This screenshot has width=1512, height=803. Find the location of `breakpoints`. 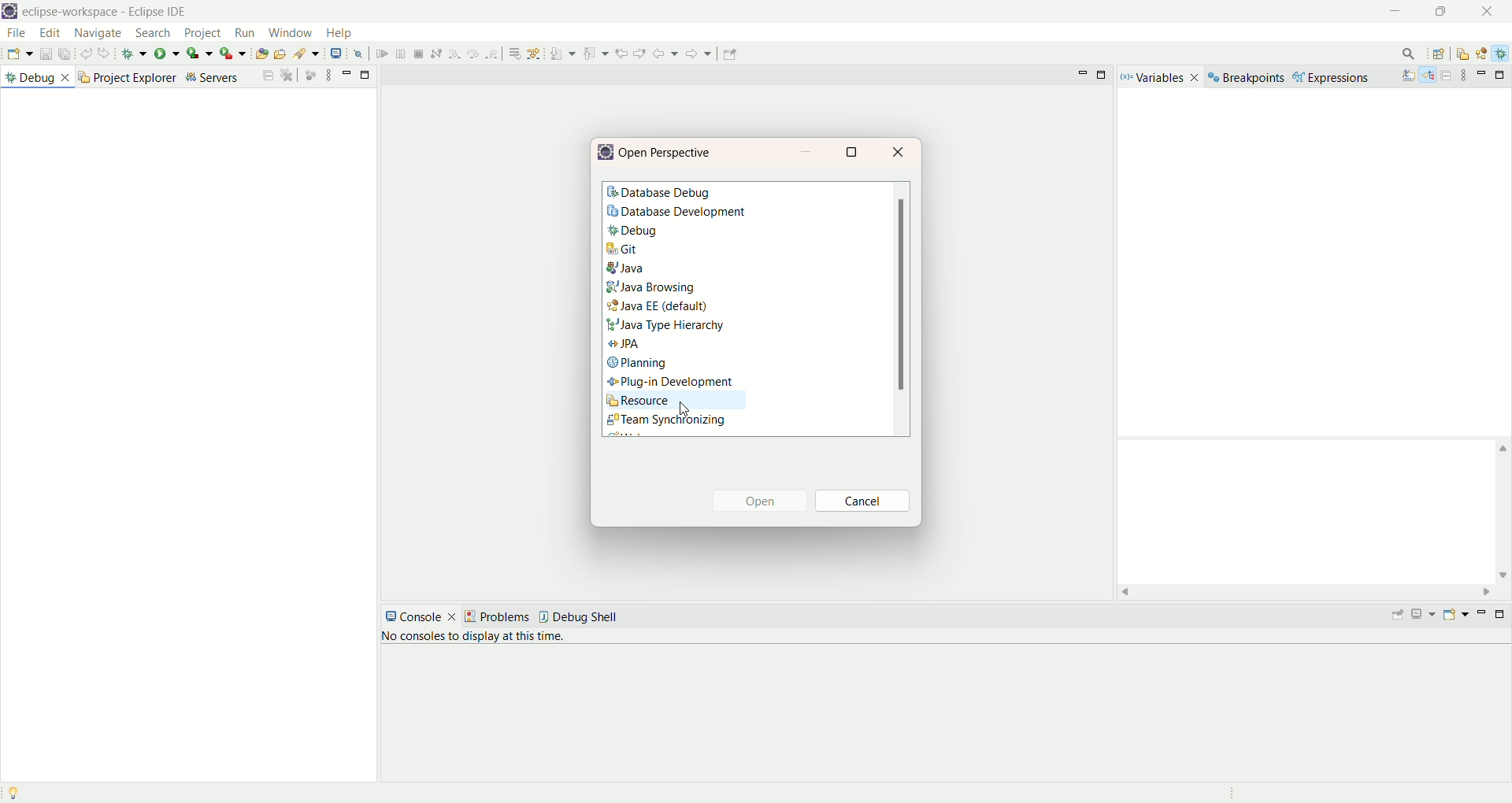

breakpoints is located at coordinates (1246, 78).